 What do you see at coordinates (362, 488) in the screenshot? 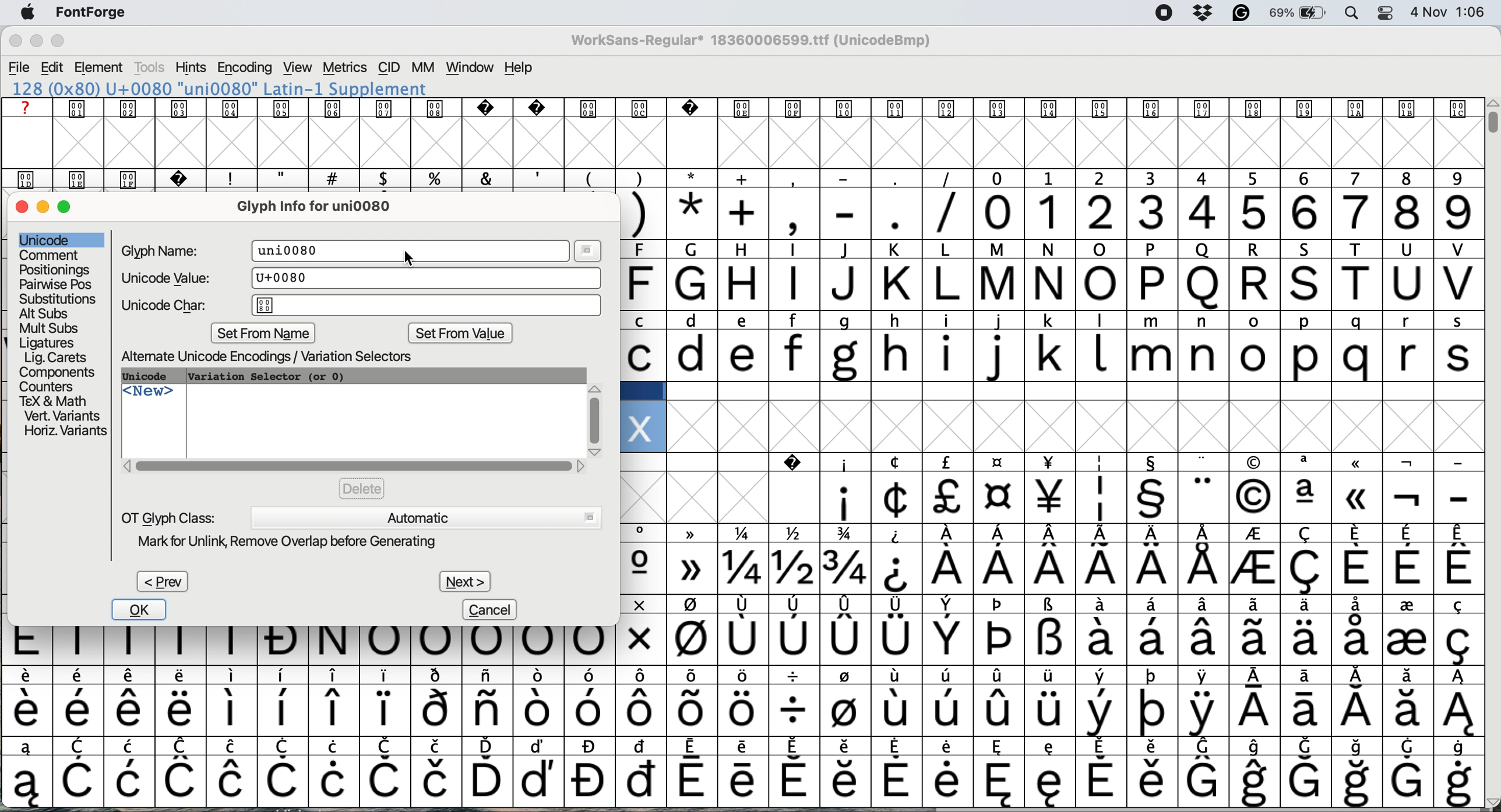
I see `delete` at bounding box center [362, 488].